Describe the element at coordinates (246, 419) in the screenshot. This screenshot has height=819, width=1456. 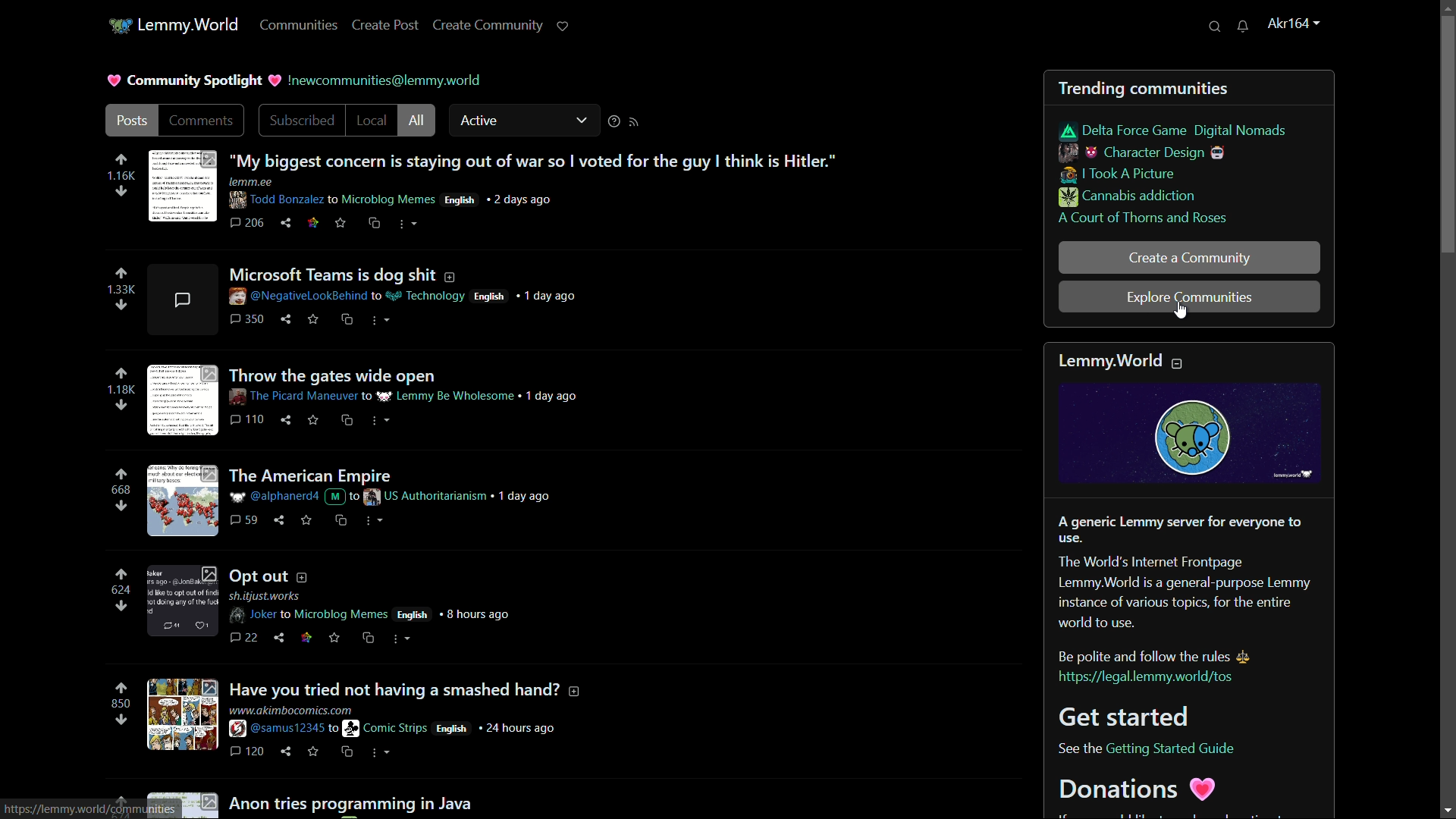
I see `comments` at that location.